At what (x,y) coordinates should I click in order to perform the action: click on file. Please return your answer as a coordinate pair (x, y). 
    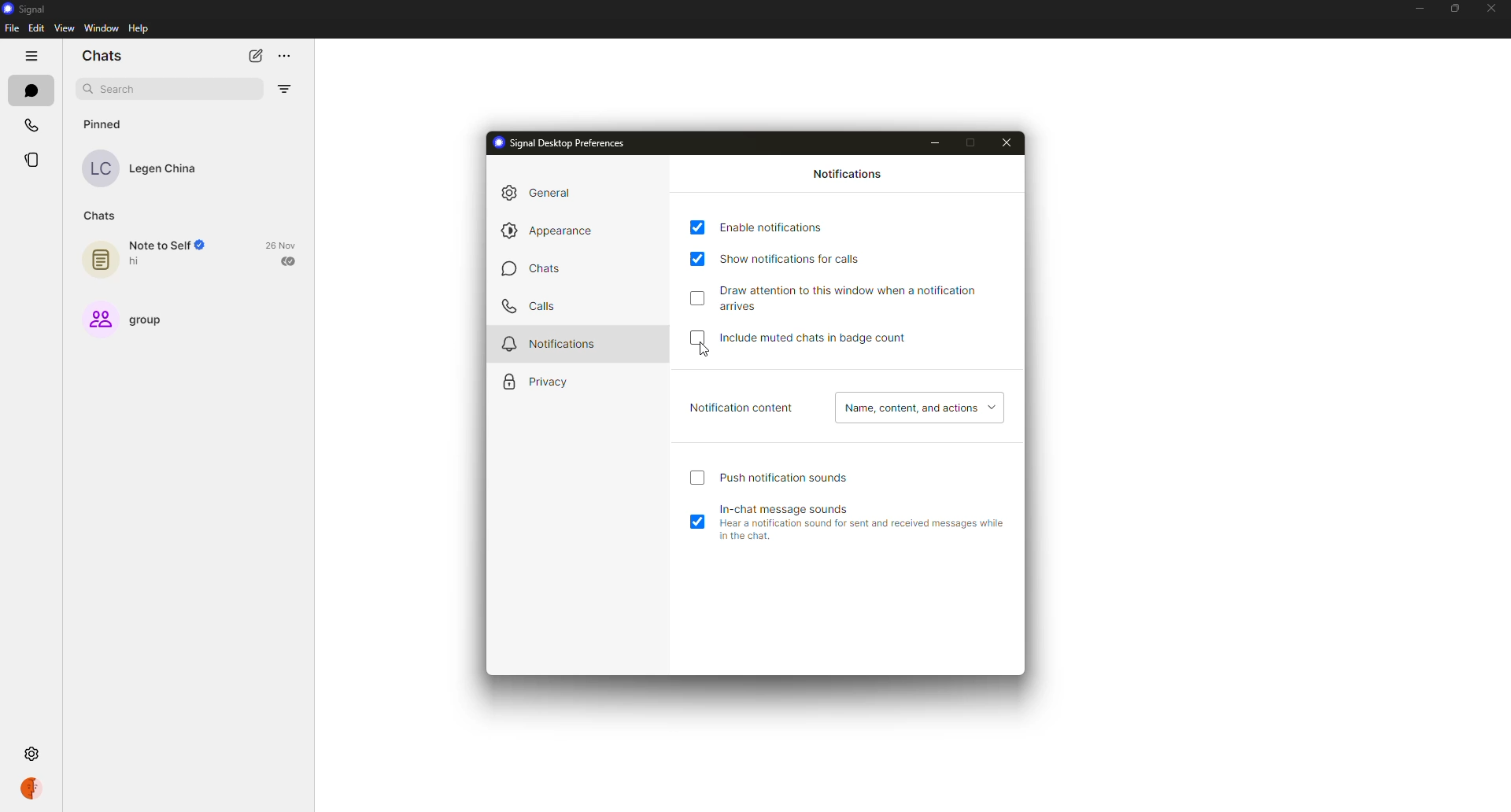
    Looking at the image, I should click on (12, 28).